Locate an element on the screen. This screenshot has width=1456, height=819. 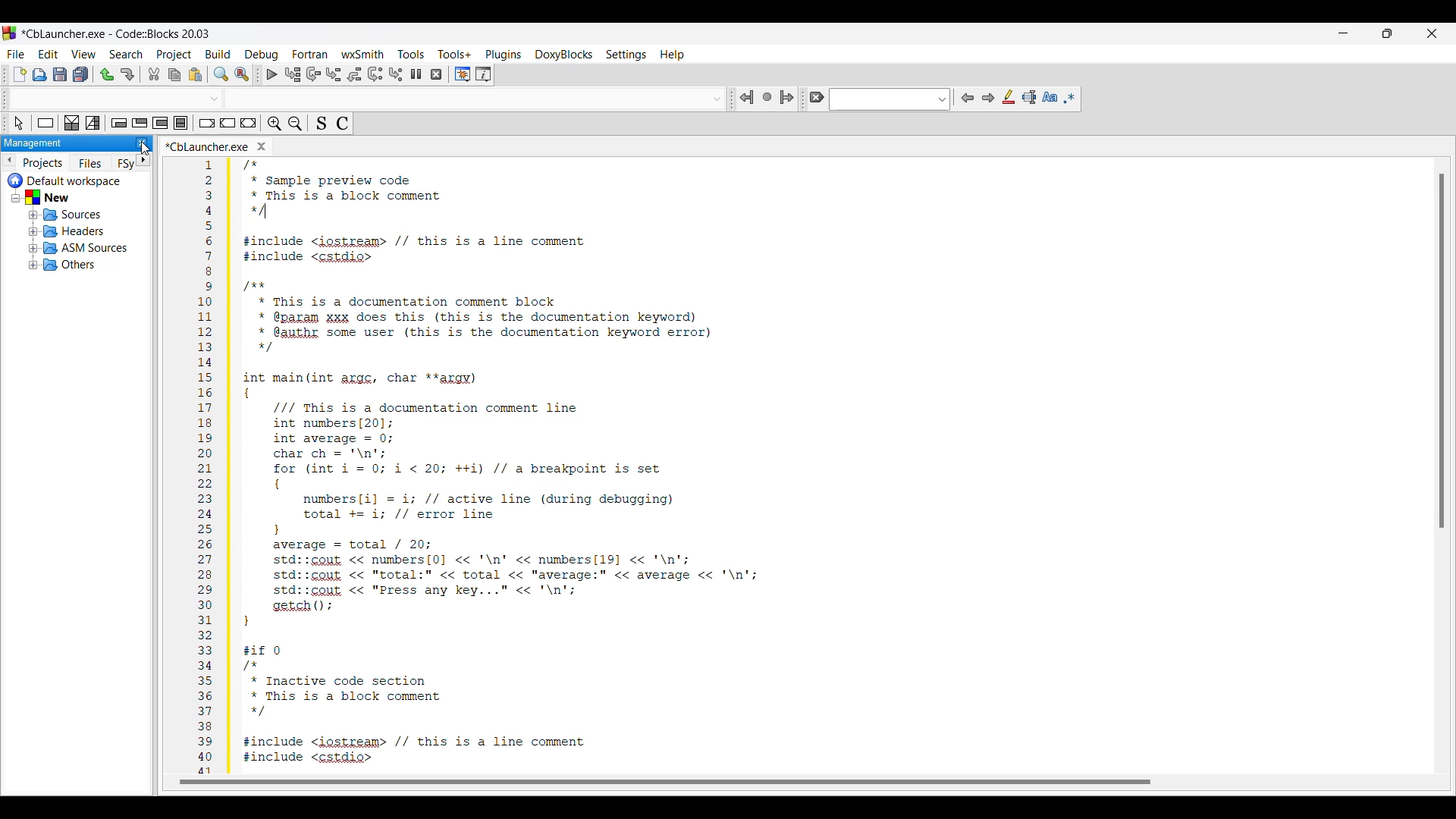
Search menu is located at coordinates (126, 54).